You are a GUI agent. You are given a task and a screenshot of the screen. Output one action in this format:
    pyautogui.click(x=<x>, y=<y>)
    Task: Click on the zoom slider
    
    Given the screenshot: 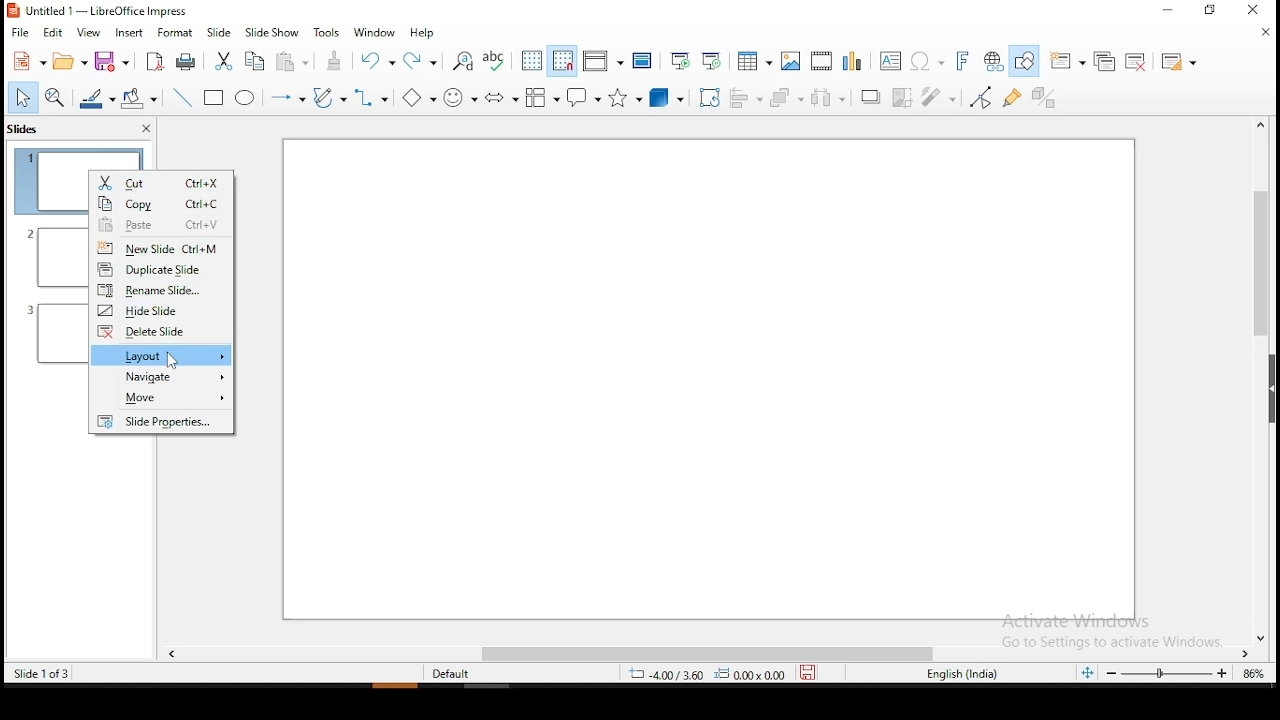 What is the action you would take?
    pyautogui.click(x=1169, y=676)
    